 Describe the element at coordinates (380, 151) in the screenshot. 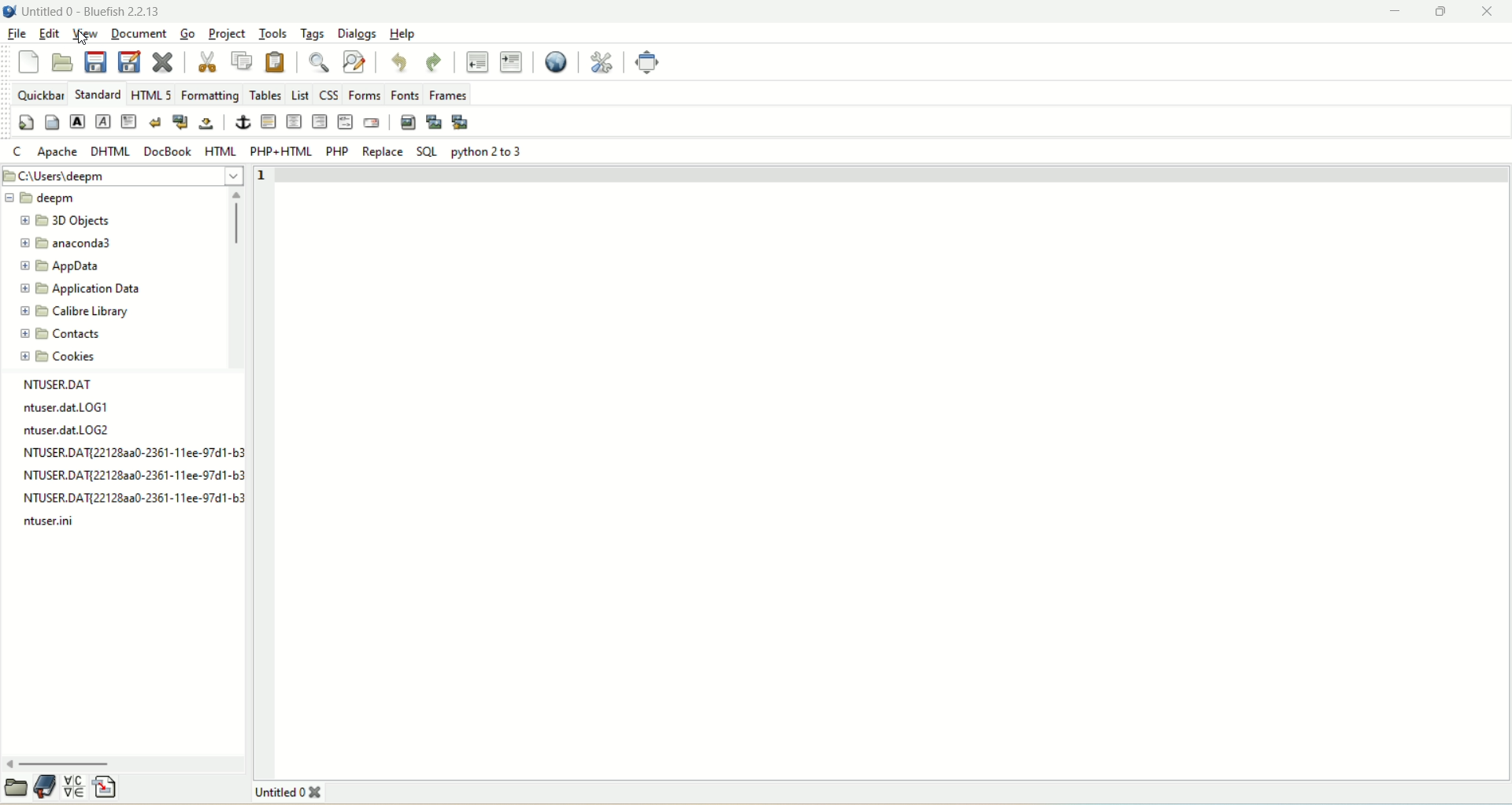

I see `replace` at that location.